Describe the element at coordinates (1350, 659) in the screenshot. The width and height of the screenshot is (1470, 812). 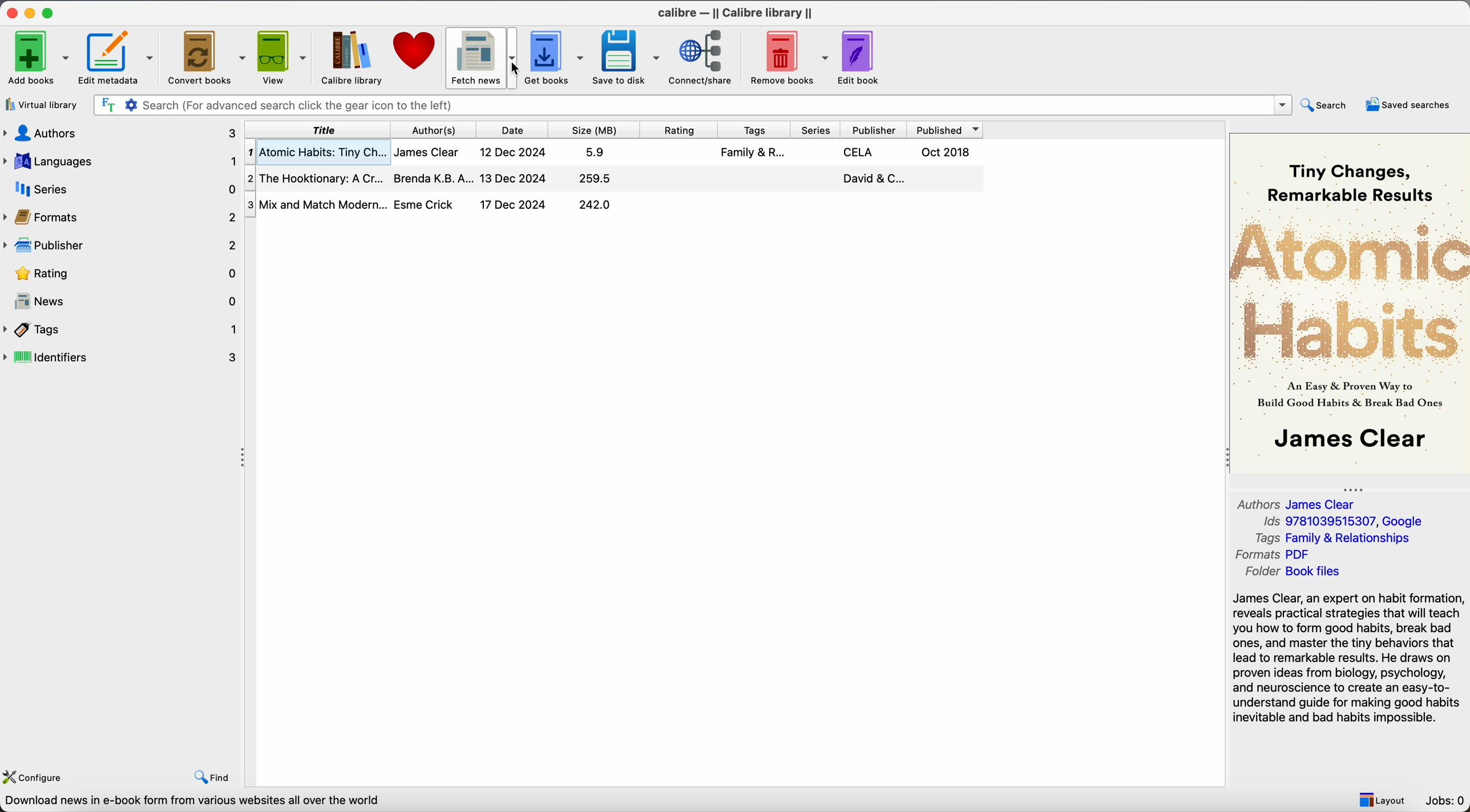
I see `synopsis` at that location.